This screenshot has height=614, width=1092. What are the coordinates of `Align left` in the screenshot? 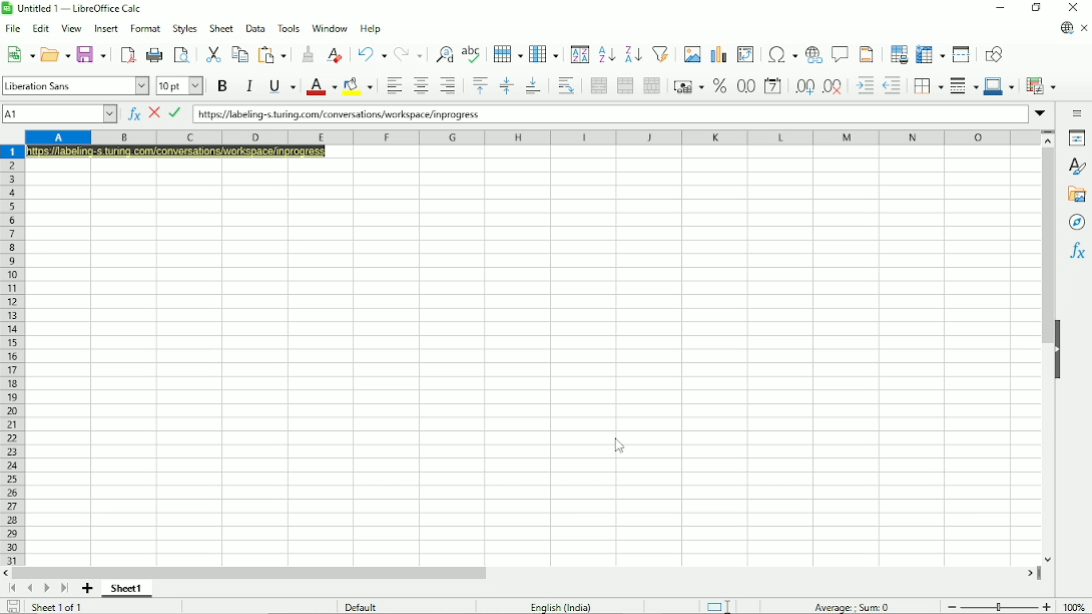 It's located at (394, 86).